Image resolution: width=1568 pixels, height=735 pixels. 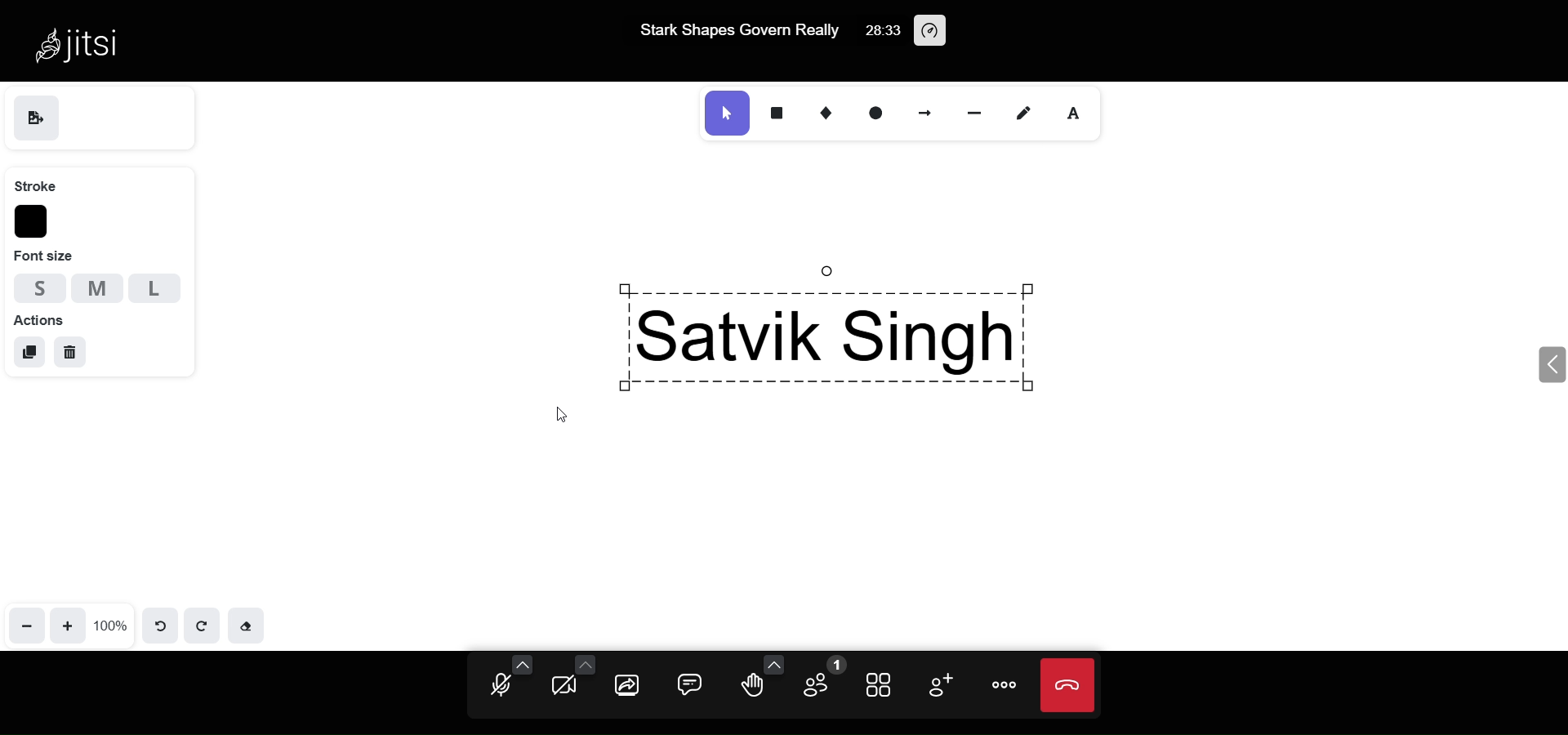 I want to click on eraser, so click(x=246, y=624).